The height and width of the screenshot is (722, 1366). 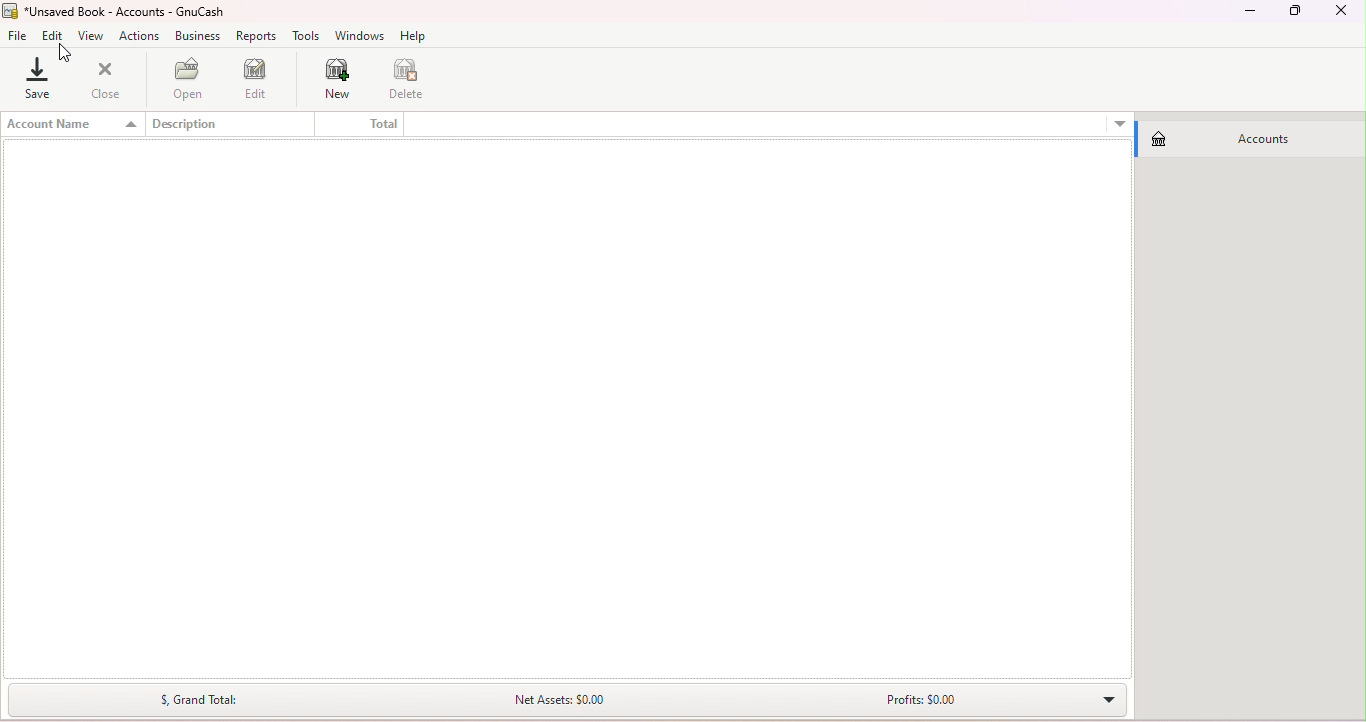 I want to click on Summary bar drop down, so click(x=565, y=697).